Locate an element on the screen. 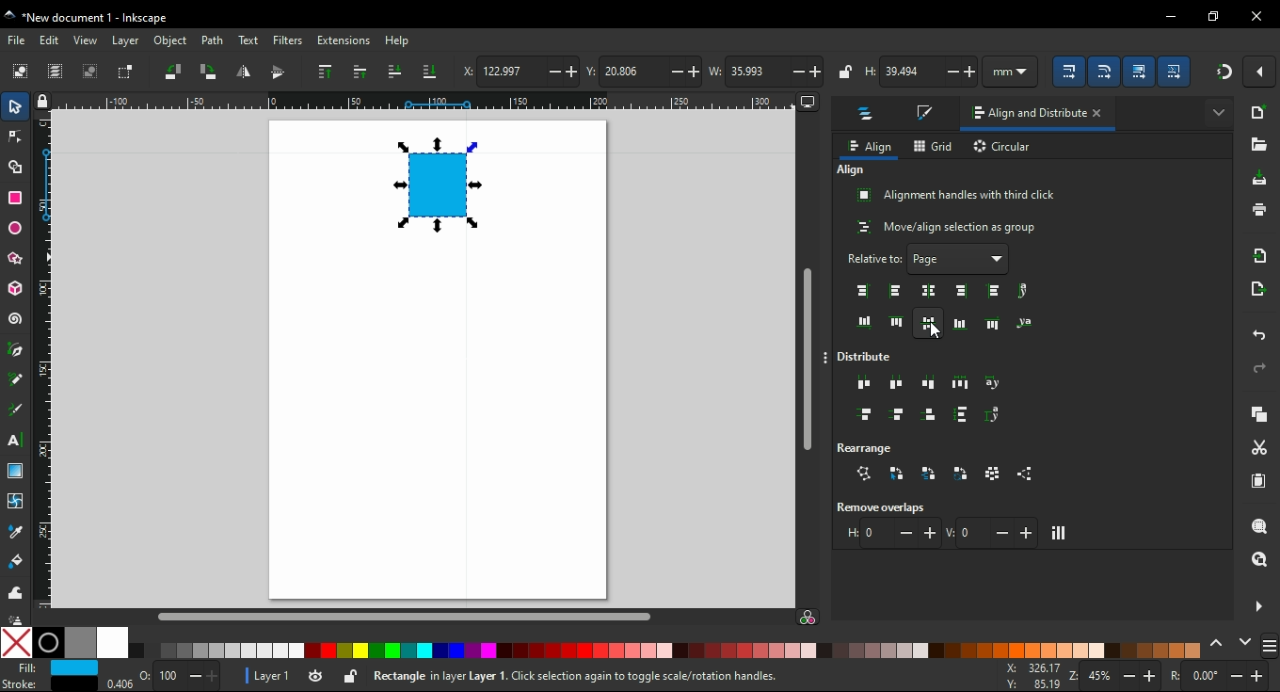 Image resolution: width=1280 pixels, height=692 pixels. stroke color is located at coordinates (46, 683).